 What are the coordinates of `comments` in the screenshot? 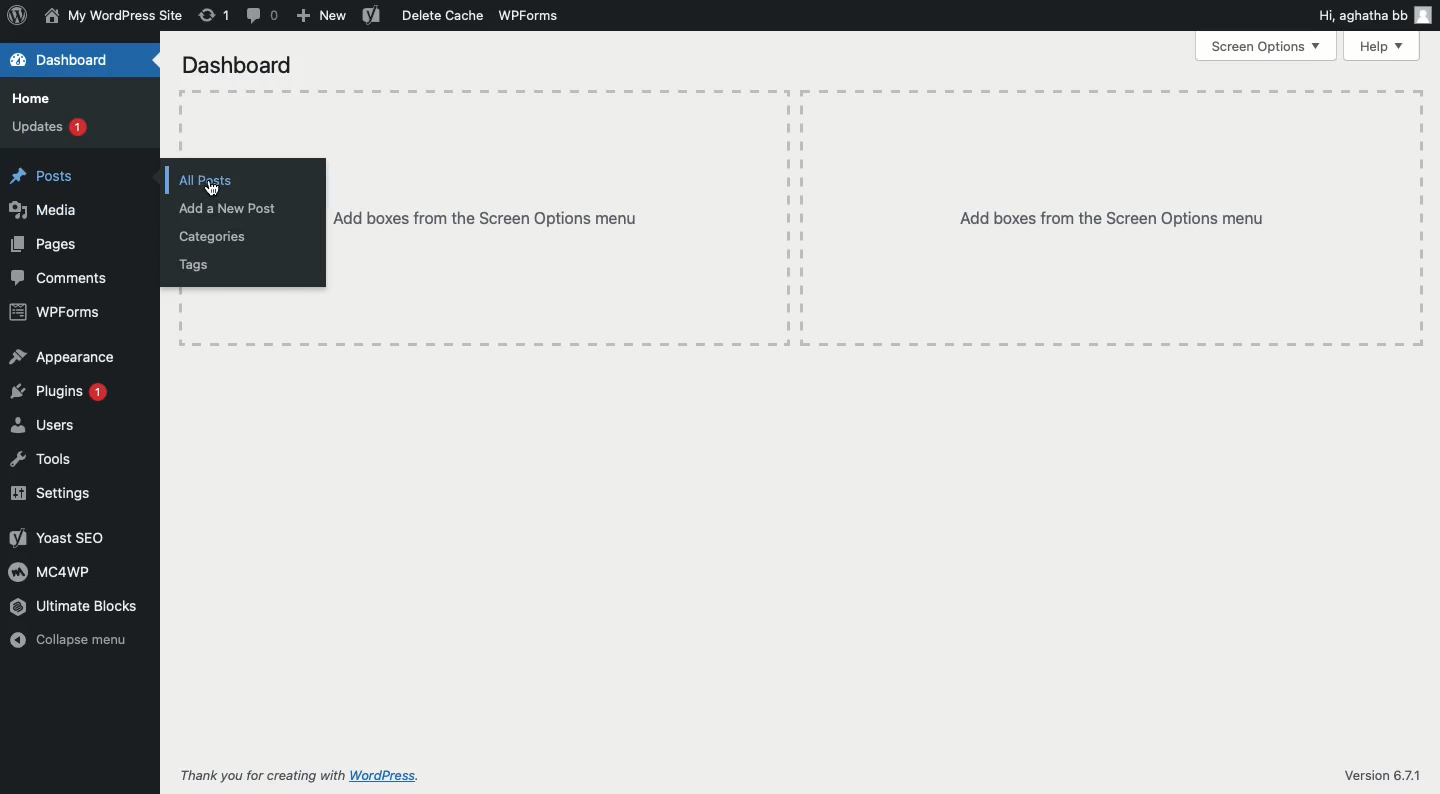 It's located at (260, 17).